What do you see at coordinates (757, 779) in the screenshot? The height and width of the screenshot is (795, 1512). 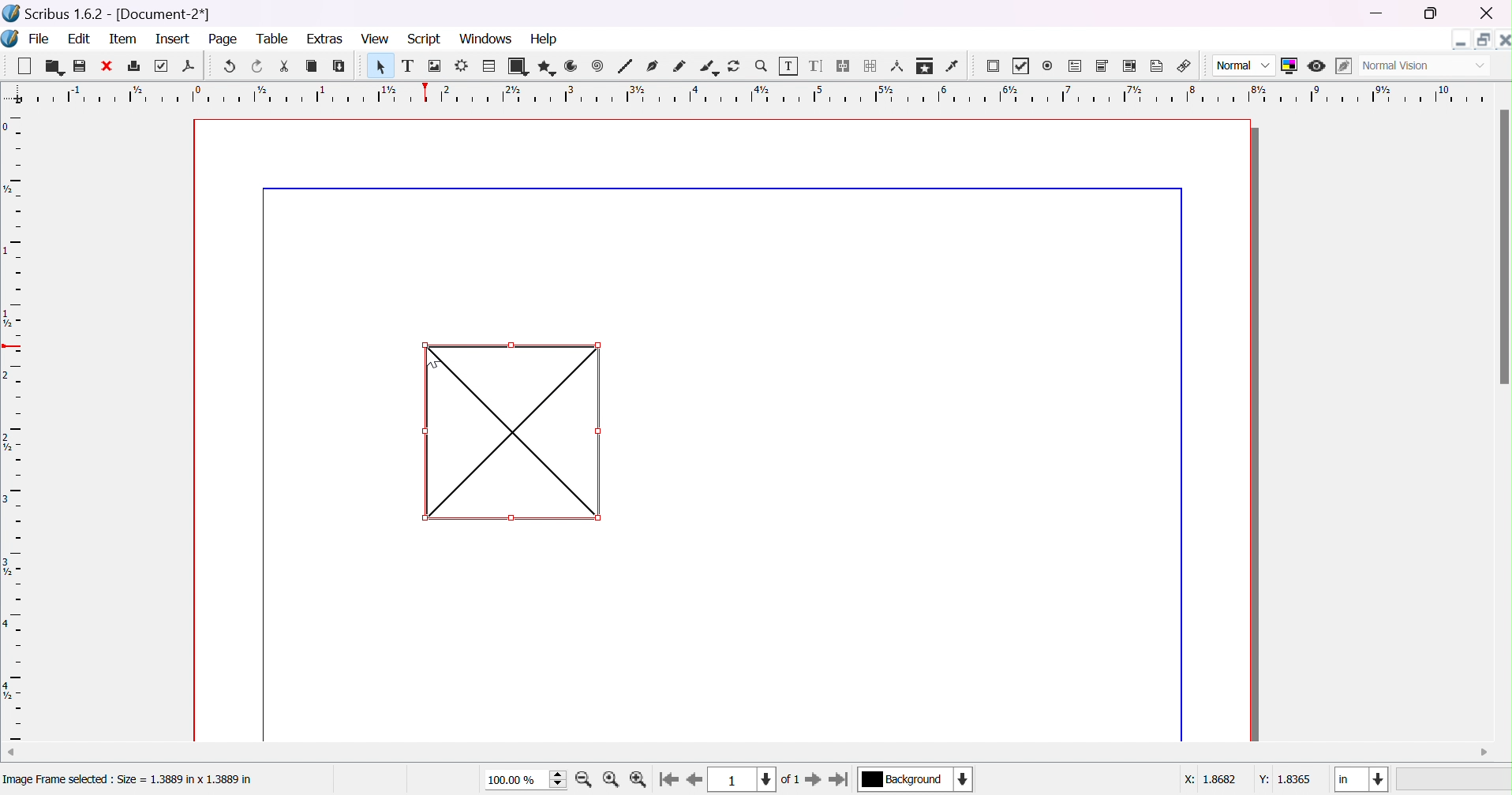 I see `current page` at bounding box center [757, 779].